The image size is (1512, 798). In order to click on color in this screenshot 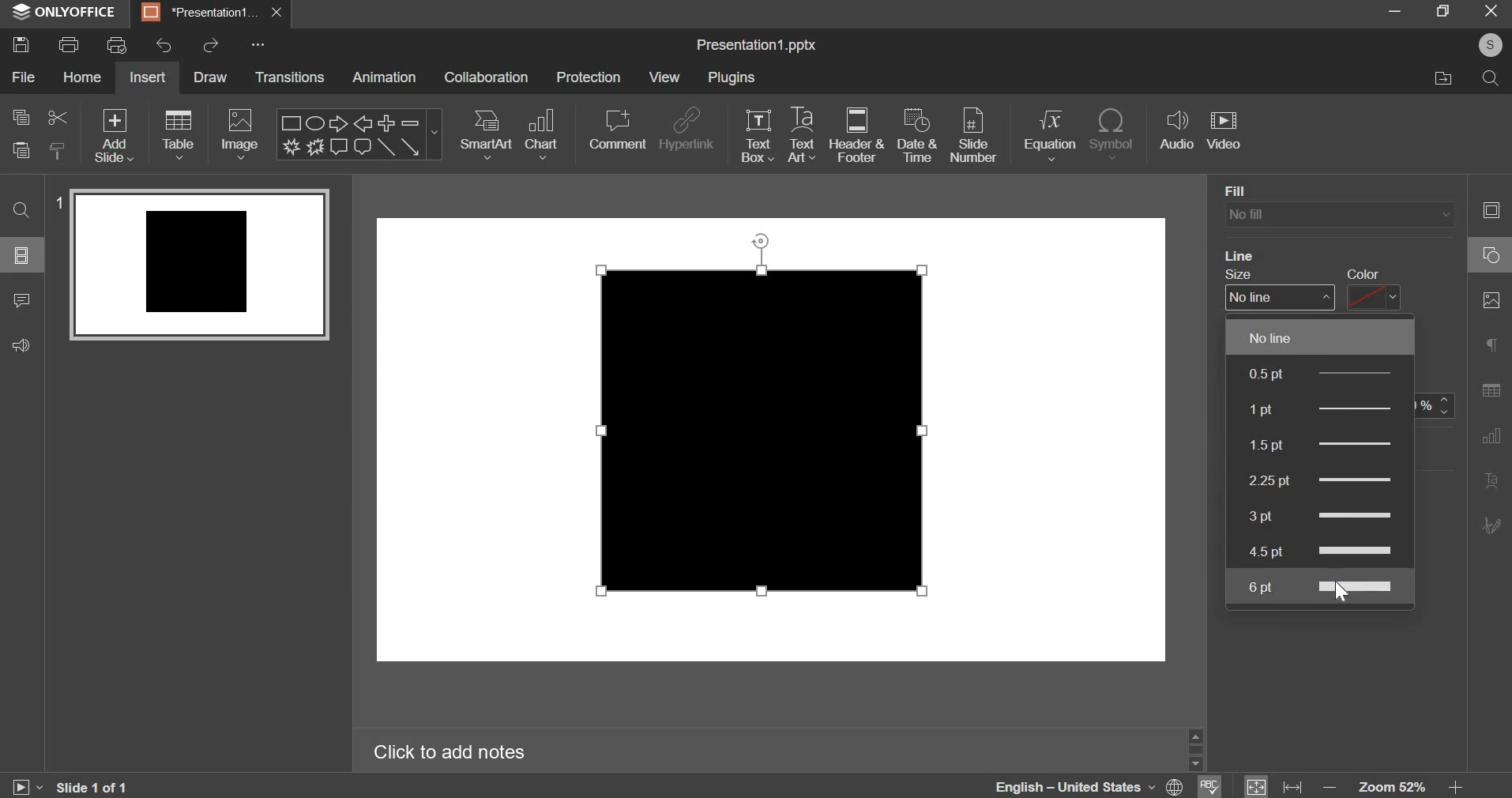, I will do `click(1375, 299)`.